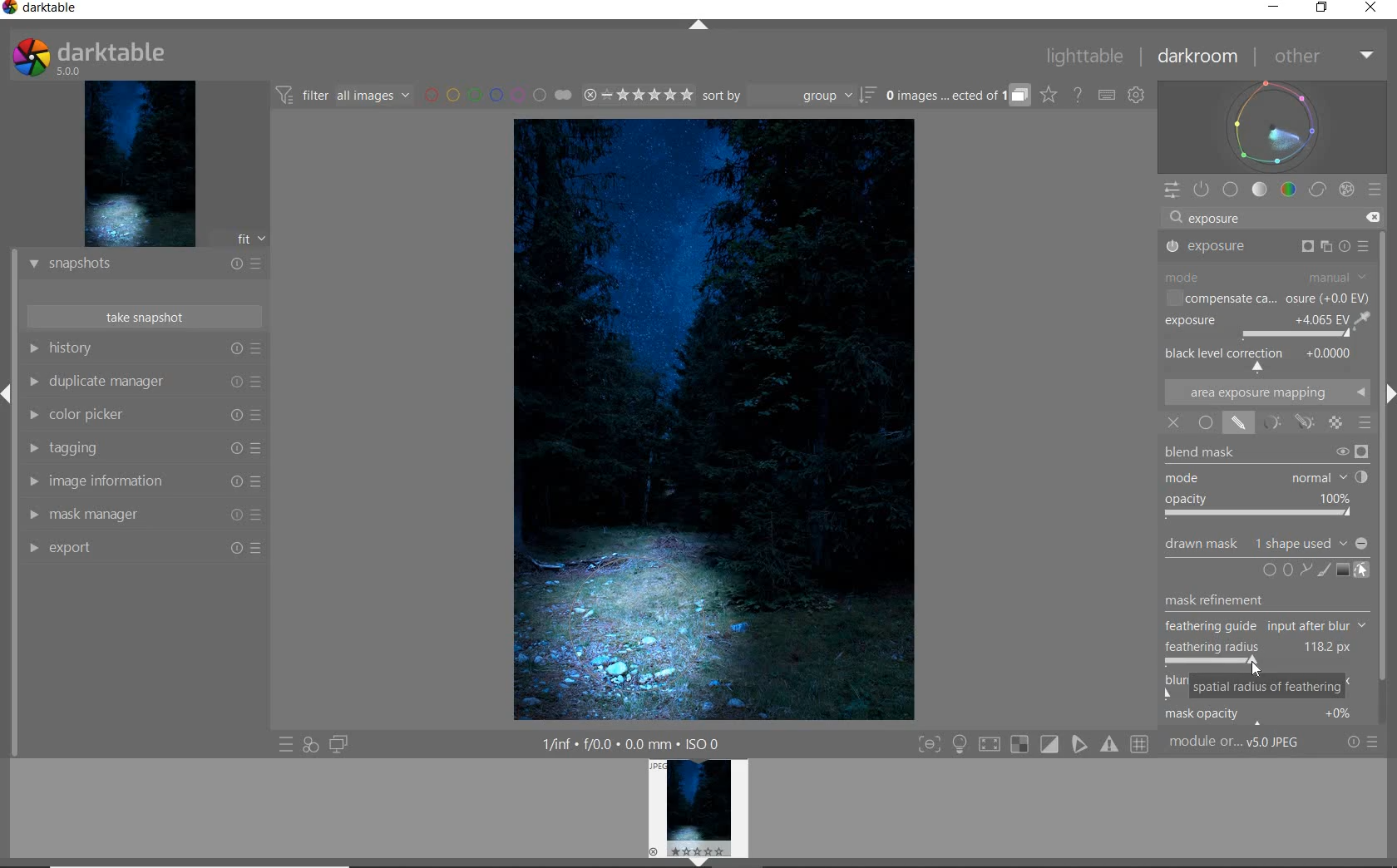 This screenshot has height=868, width=1397. Describe the element at coordinates (1370, 10) in the screenshot. I see `CLOSE` at that location.